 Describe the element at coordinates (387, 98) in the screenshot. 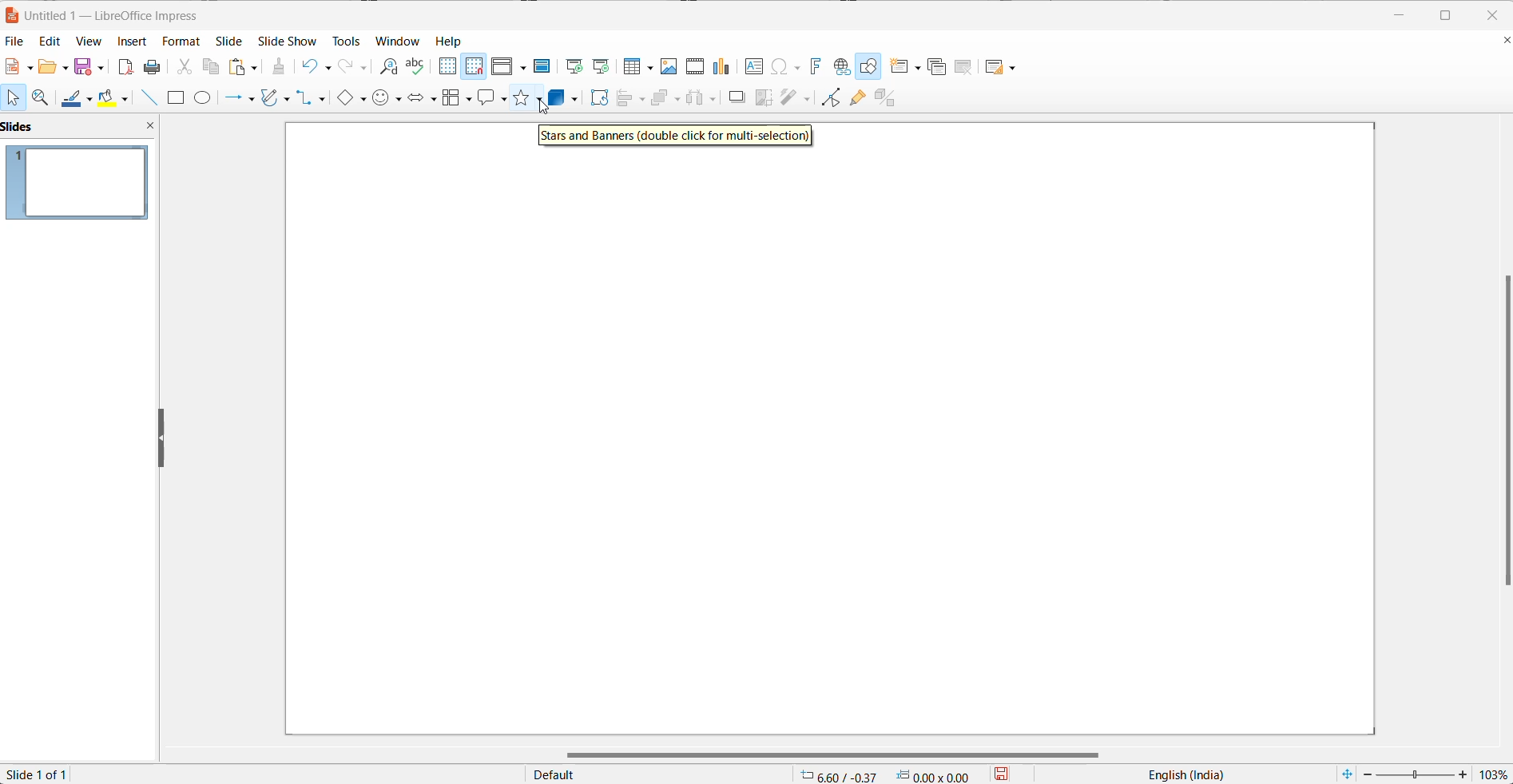

I see `symbol shapes` at that location.